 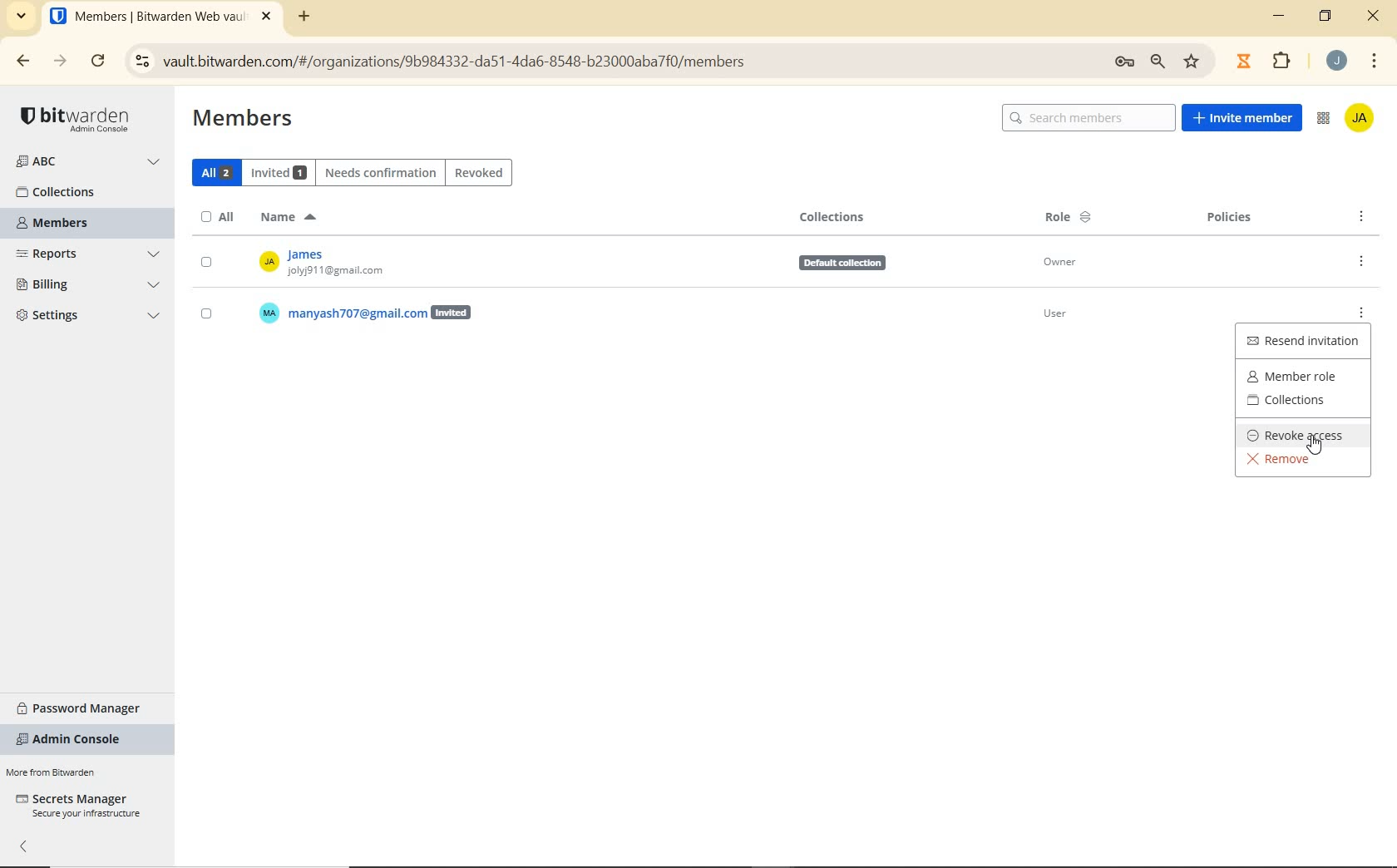 What do you see at coordinates (1360, 261) in the screenshot?
I see `OPTIONS` at bounding box center [1360, 261].